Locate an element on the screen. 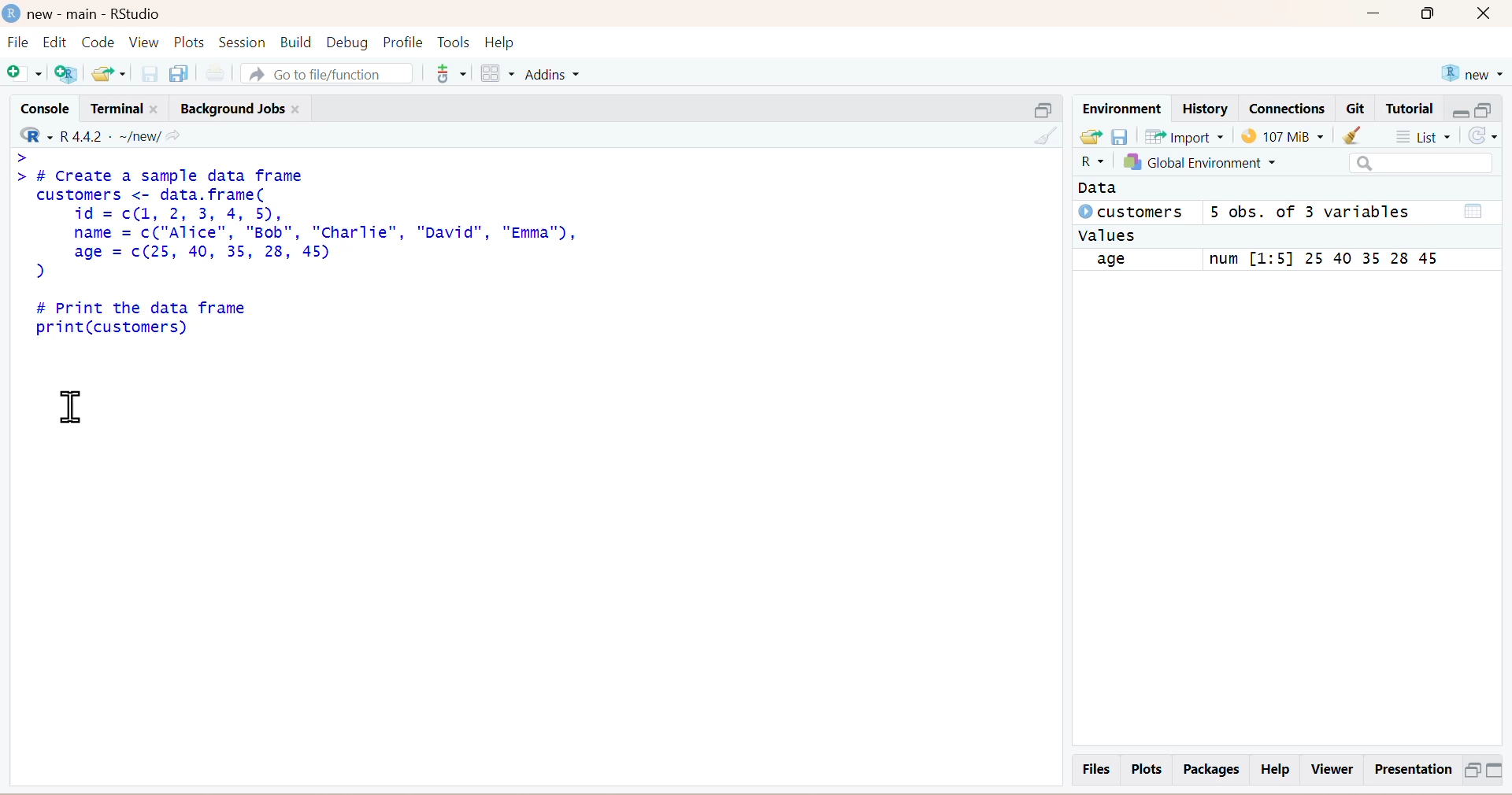 Image resolution: width=1512 pixels, height=795 pixels. Connections is located at coordinates (1286, 107).